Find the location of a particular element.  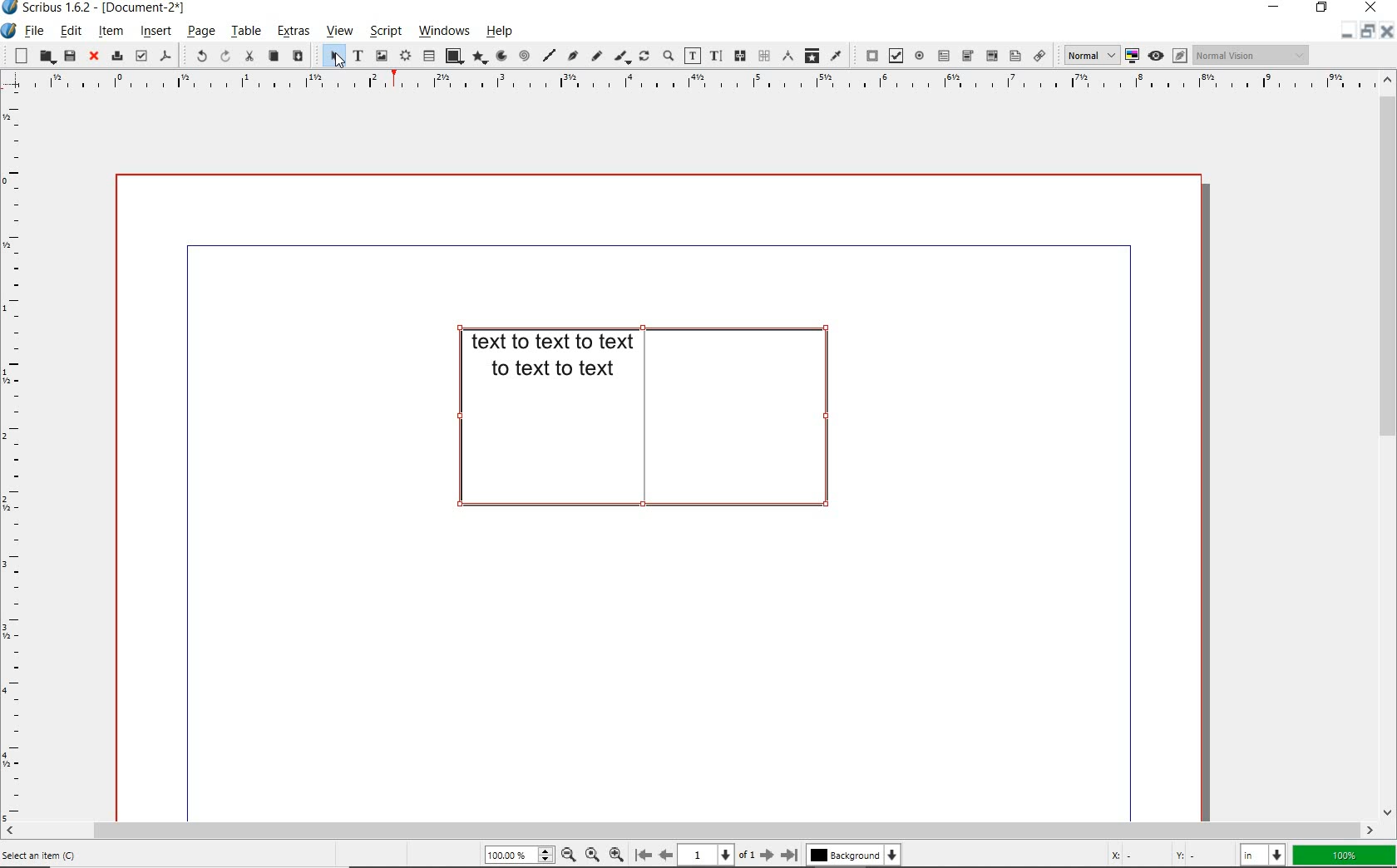

pdf check box is located at coordinates (893, 55).